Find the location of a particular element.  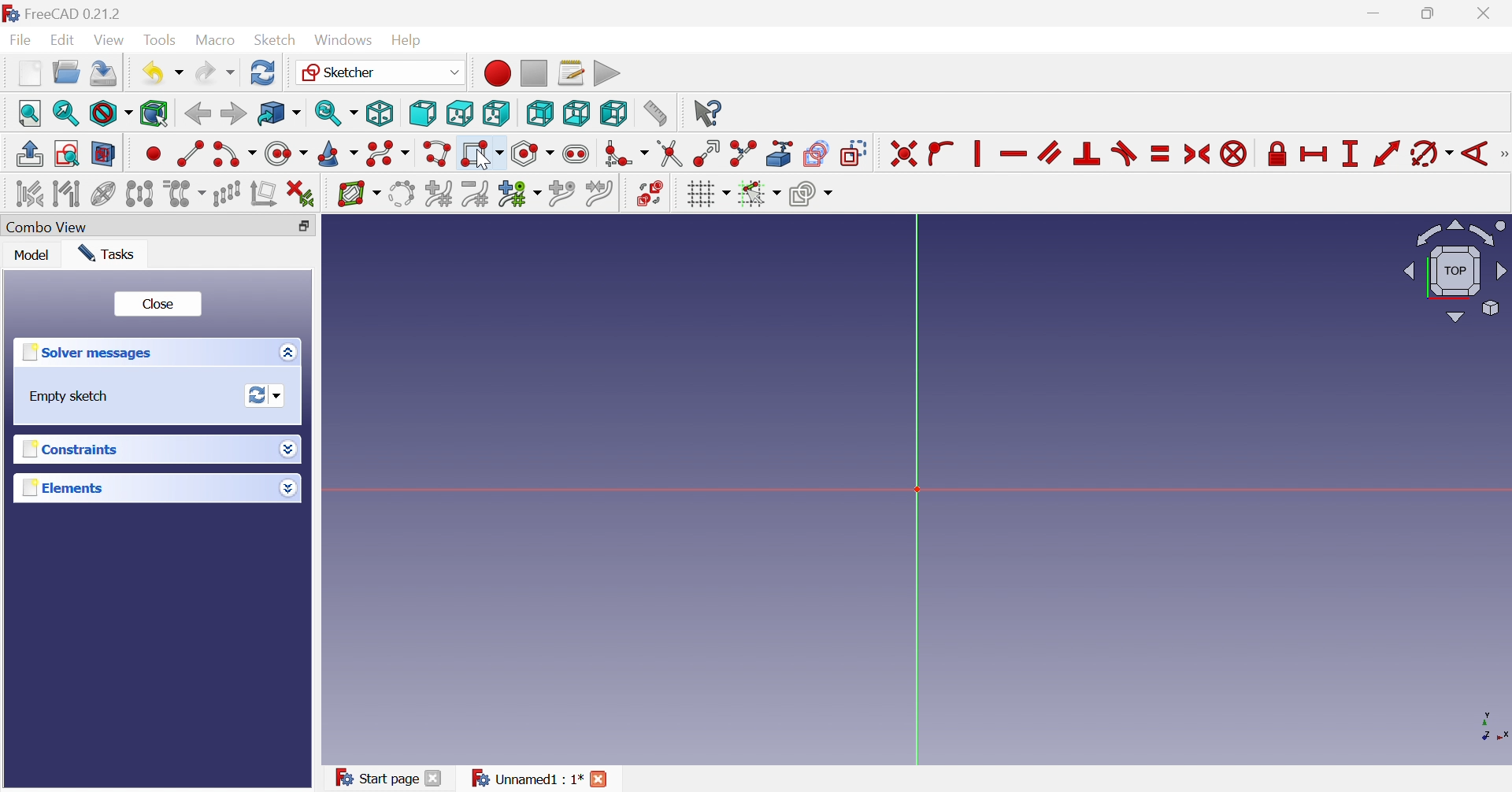

Sketcher is located at coordinates (379, 71).